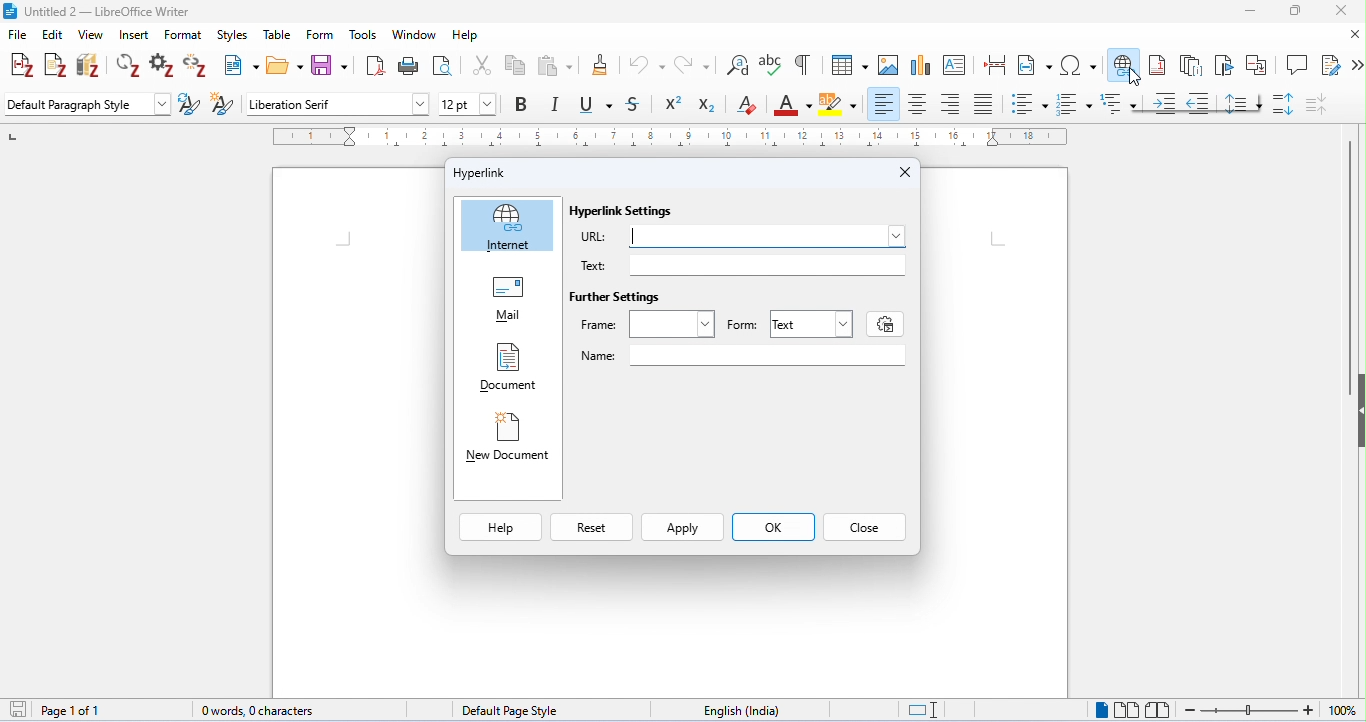 This screenshot has width=1366, height=722. I want to click on multipage view, so click(1125, 709).